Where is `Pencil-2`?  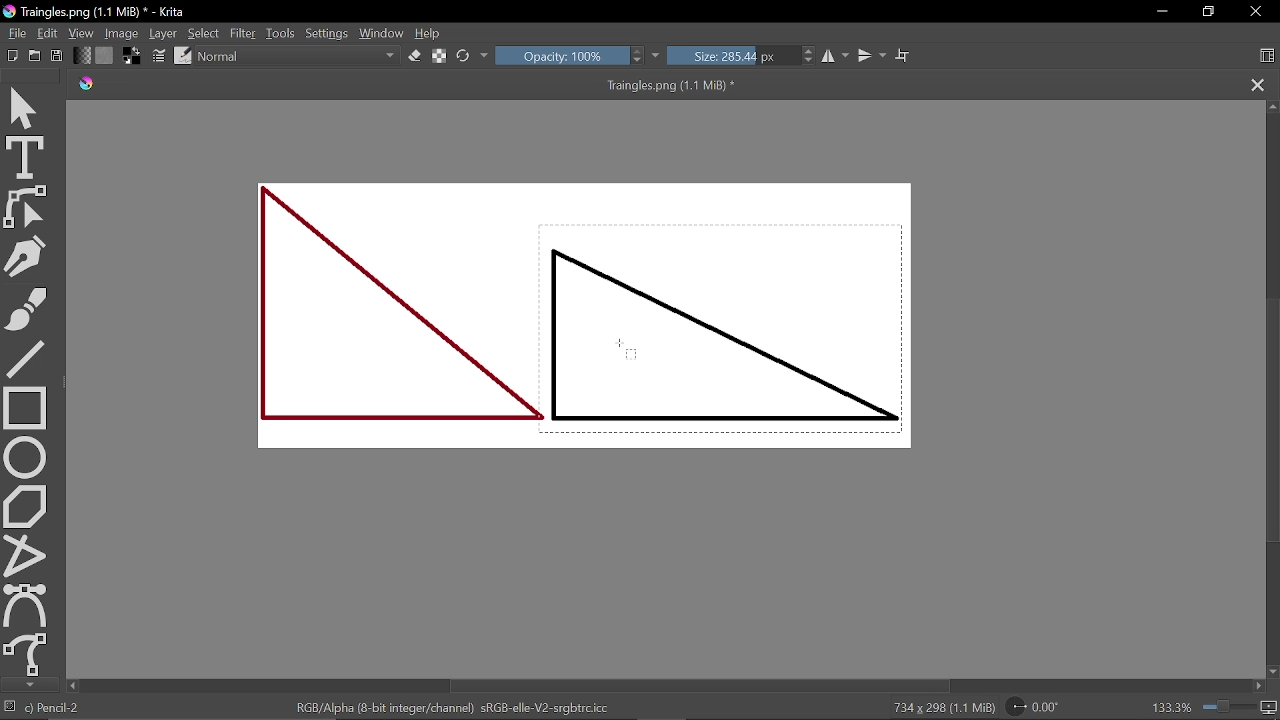 Pencil-2 is located at coordinates (57, 708).